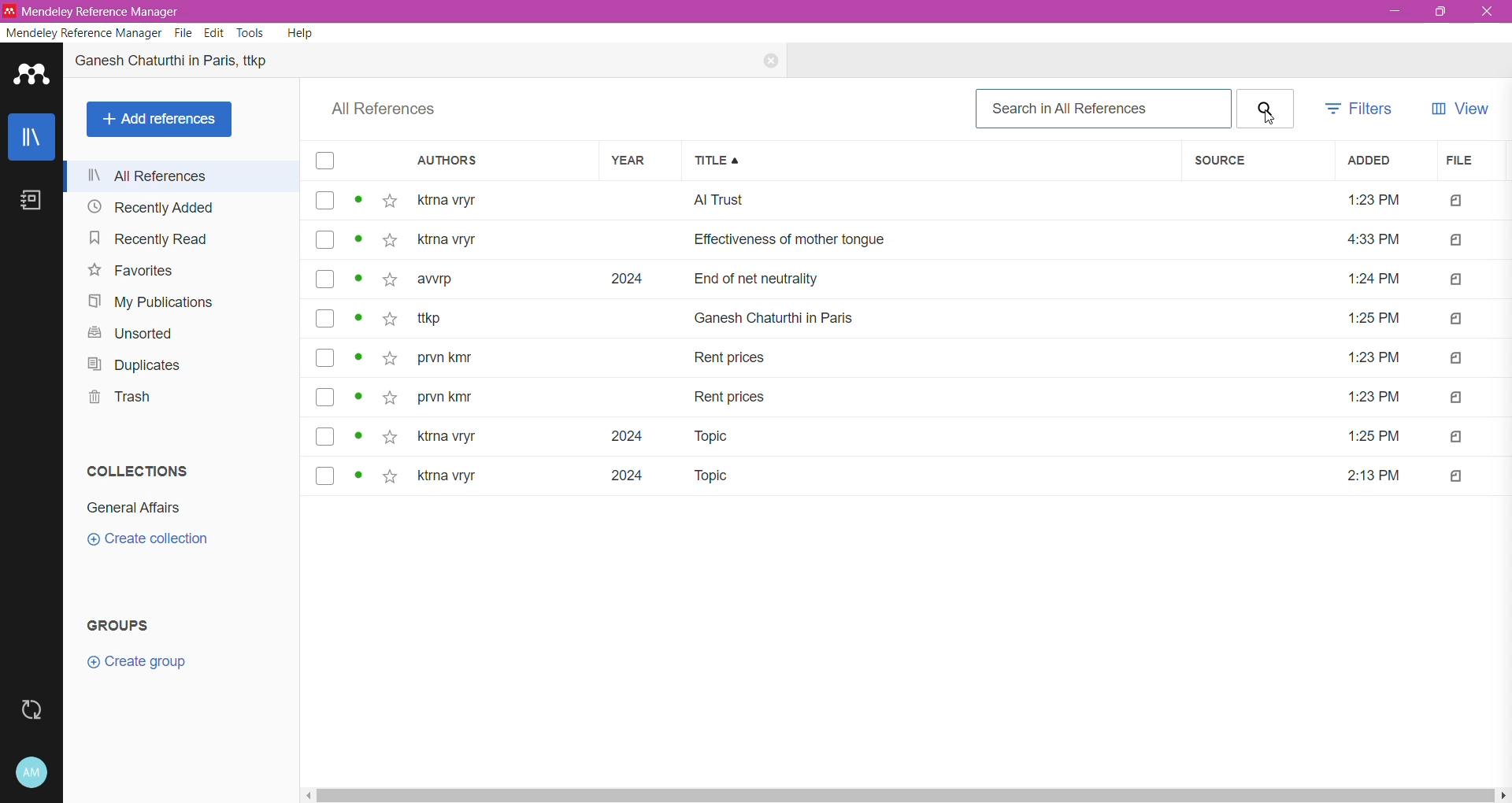  What do you see at coordinates (1254, 161) in the screenshot?
I see `Source` at bounding box center [1254, 161].